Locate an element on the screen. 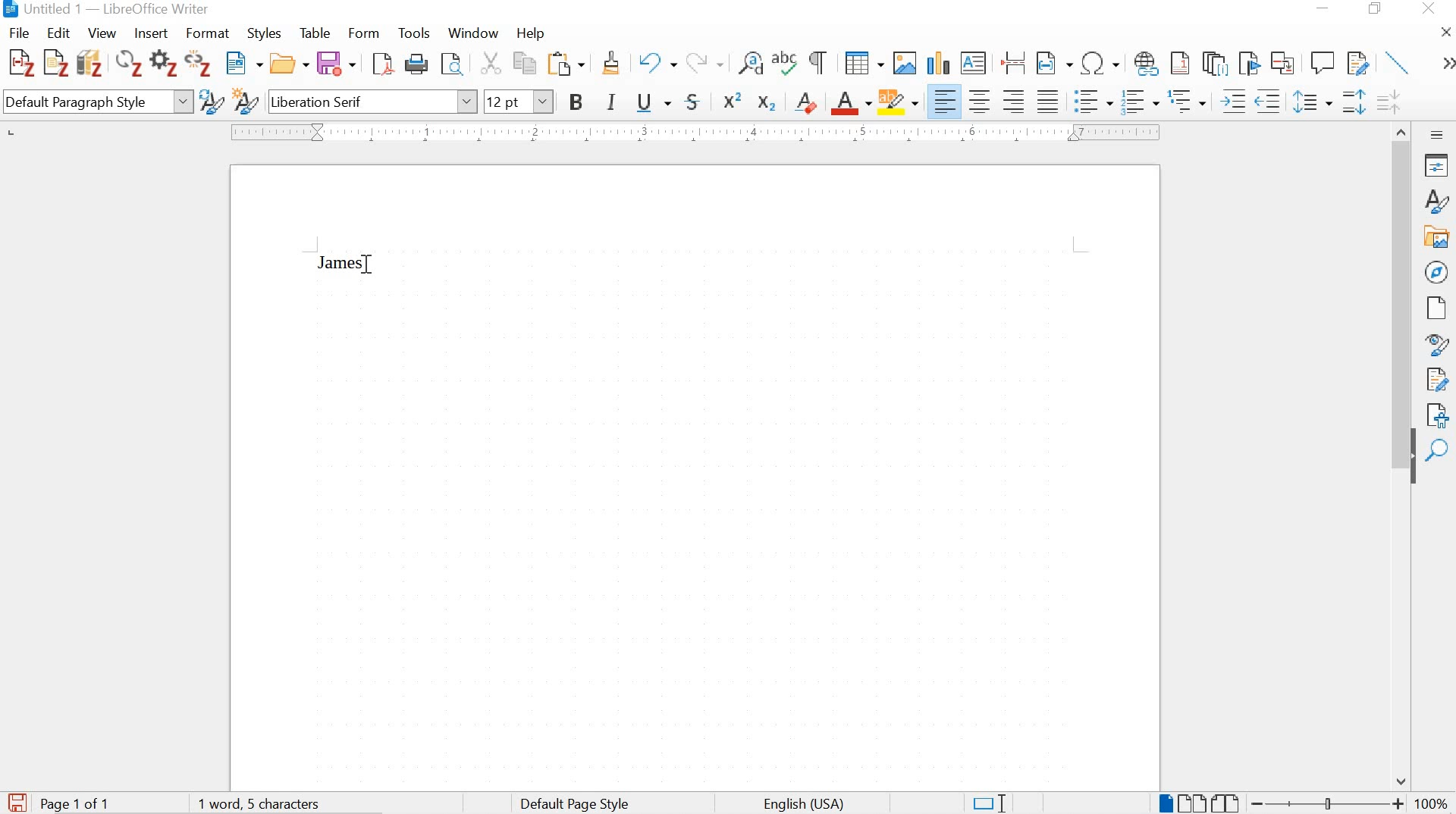 The image size is (1456, 814). character highlighting color is located at coordinates (899, 101).